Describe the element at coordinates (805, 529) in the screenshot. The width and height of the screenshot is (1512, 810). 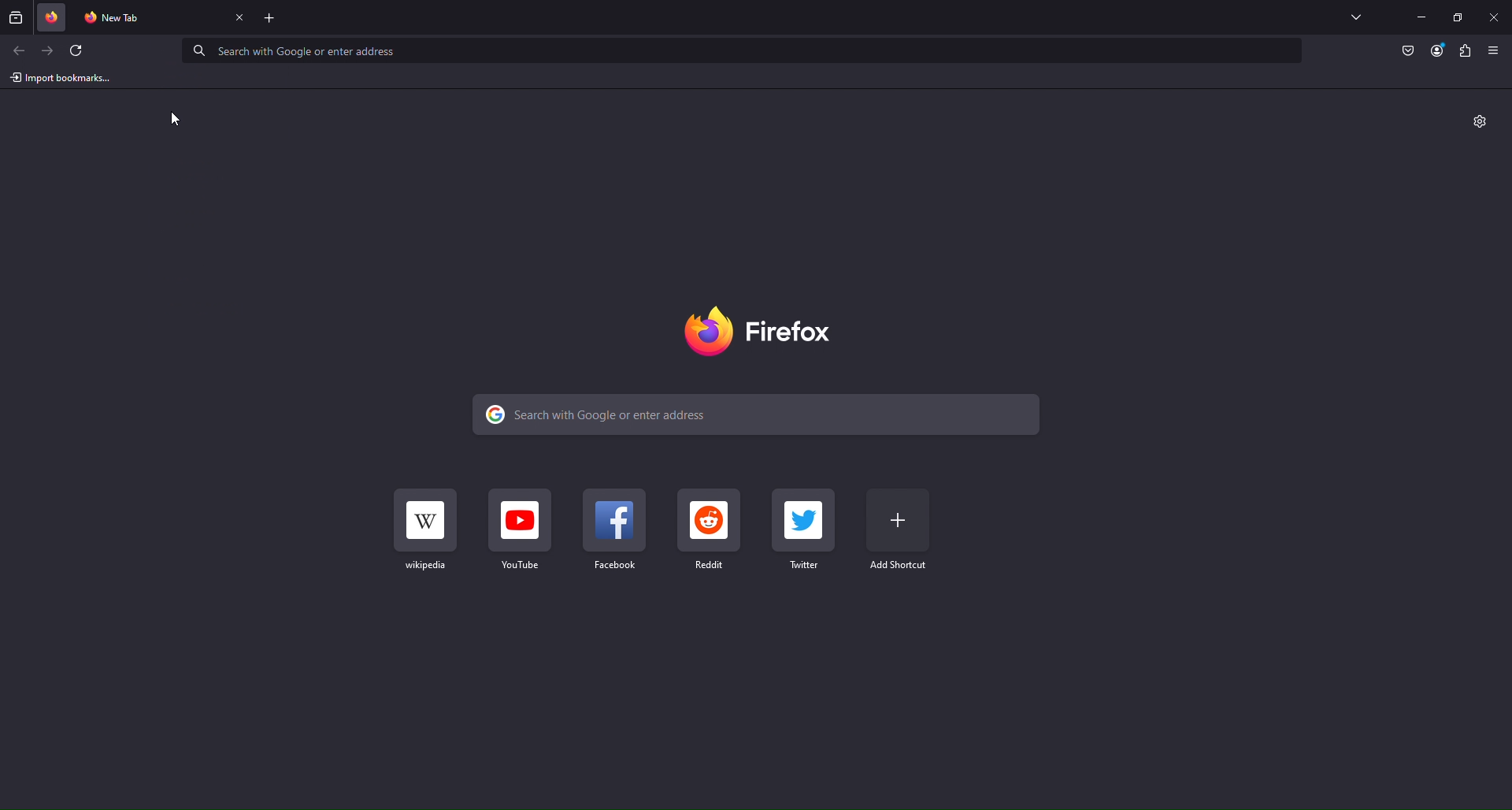
I see `Twitter Shortcut` at that location.